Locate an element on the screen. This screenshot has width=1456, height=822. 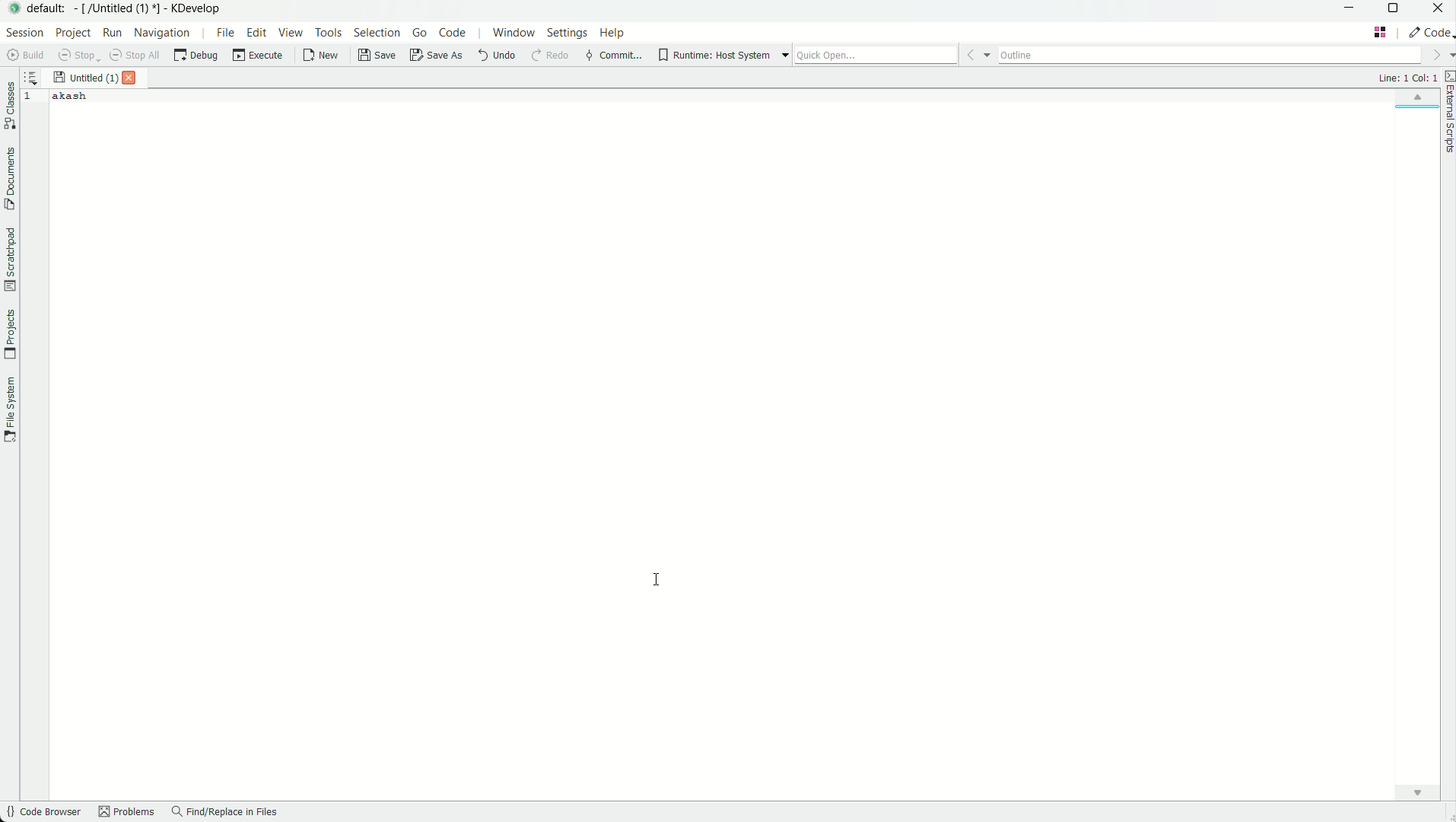
file menu is located at coordinates (224, 32).